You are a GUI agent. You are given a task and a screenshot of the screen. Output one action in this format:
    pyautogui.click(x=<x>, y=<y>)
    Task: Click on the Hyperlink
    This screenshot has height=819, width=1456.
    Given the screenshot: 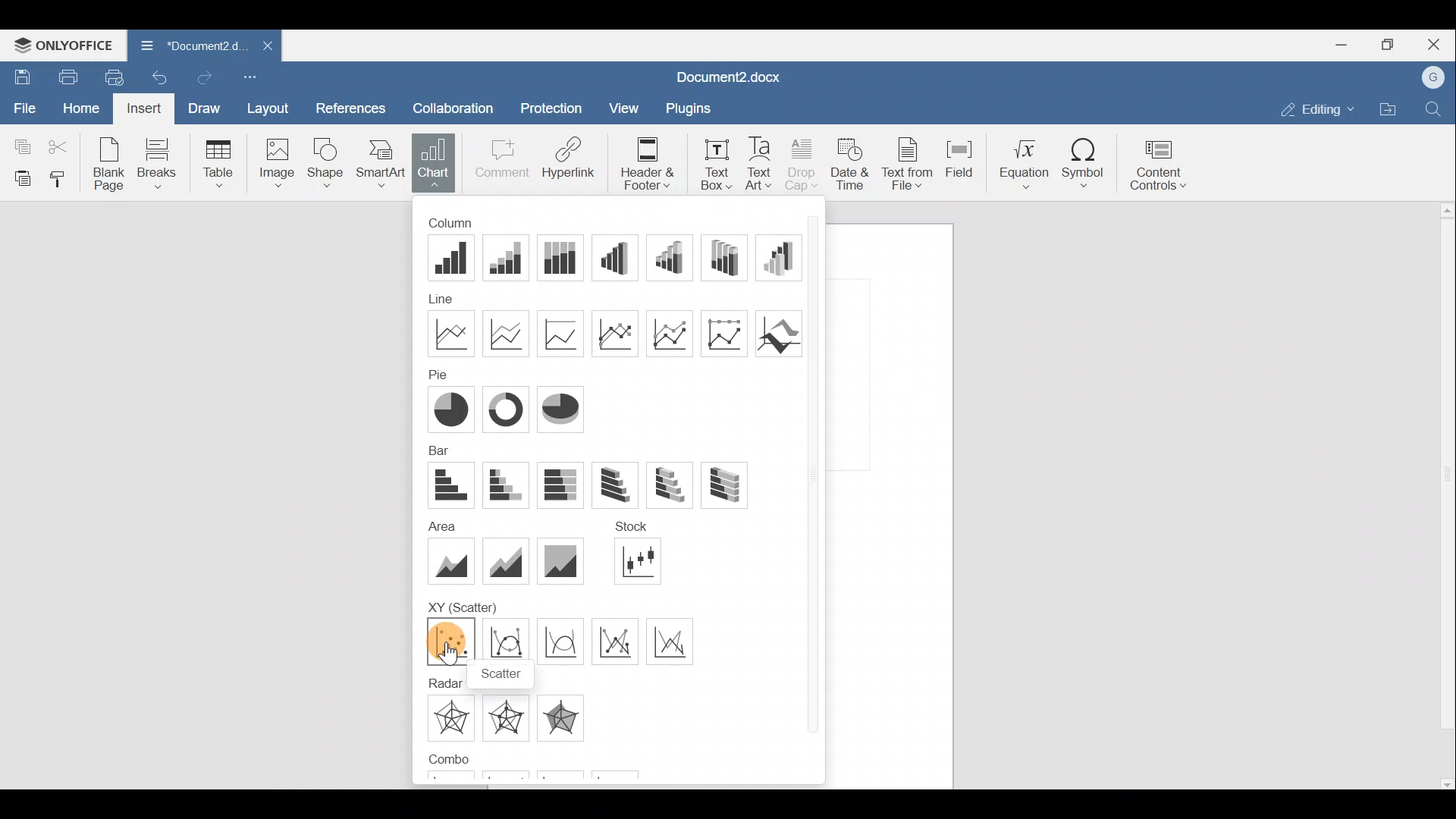 What is the action you would take?
    pyautogui.click(x=569, y=160)
    